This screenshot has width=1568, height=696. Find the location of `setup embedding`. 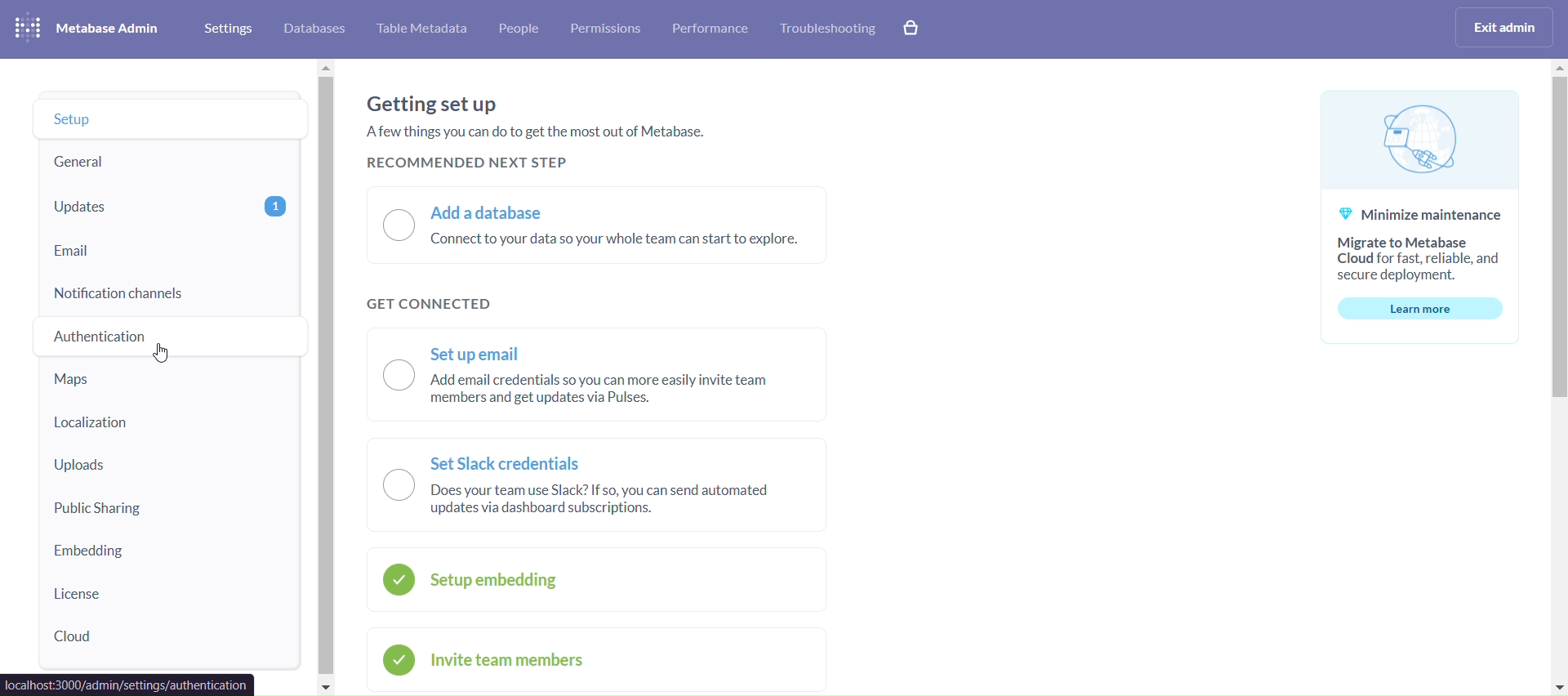

setup embedding is located at coordinates (594, 580).